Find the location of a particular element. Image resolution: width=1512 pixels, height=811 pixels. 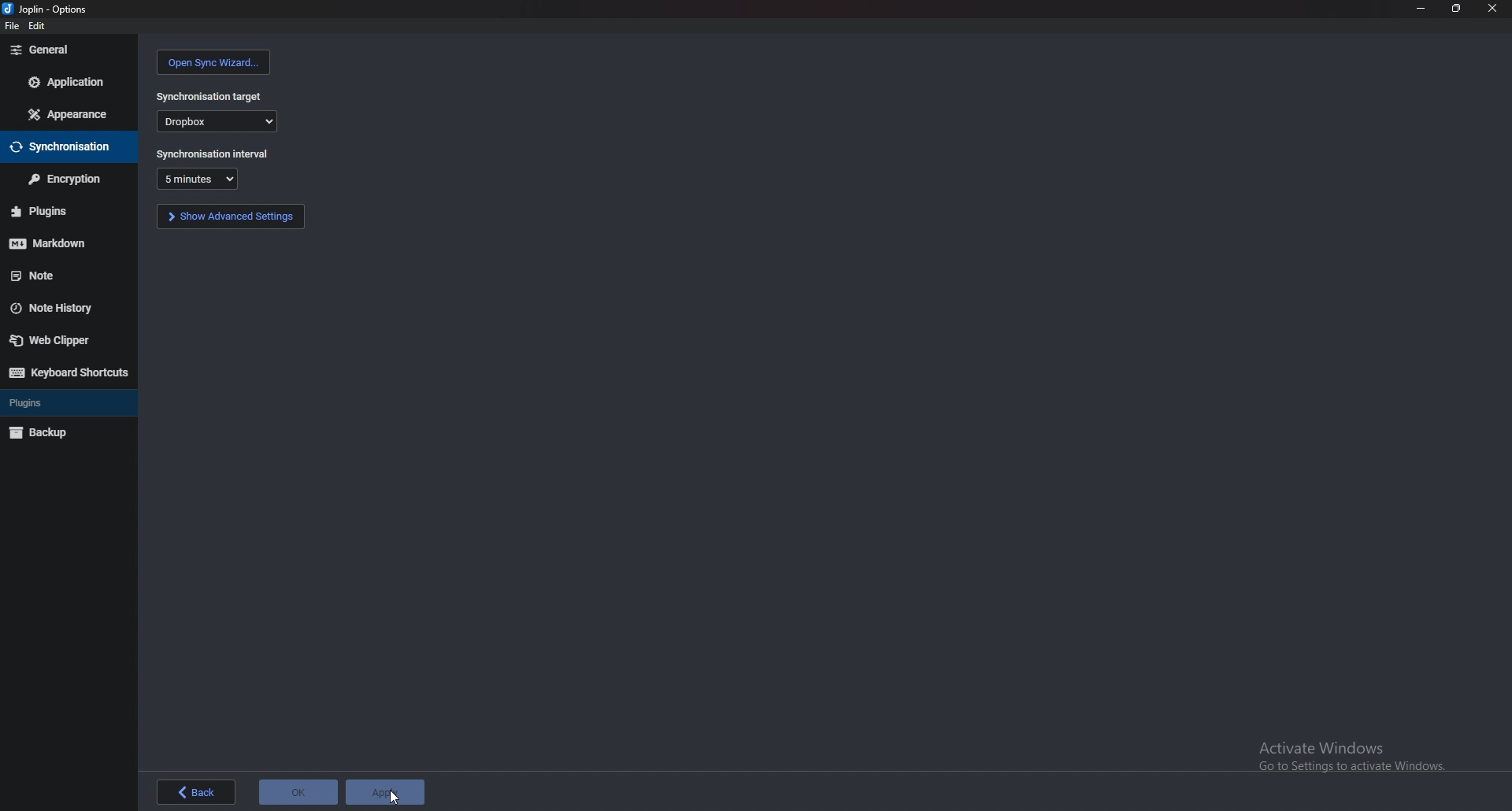

plugins is located at coordinates (59, 210).